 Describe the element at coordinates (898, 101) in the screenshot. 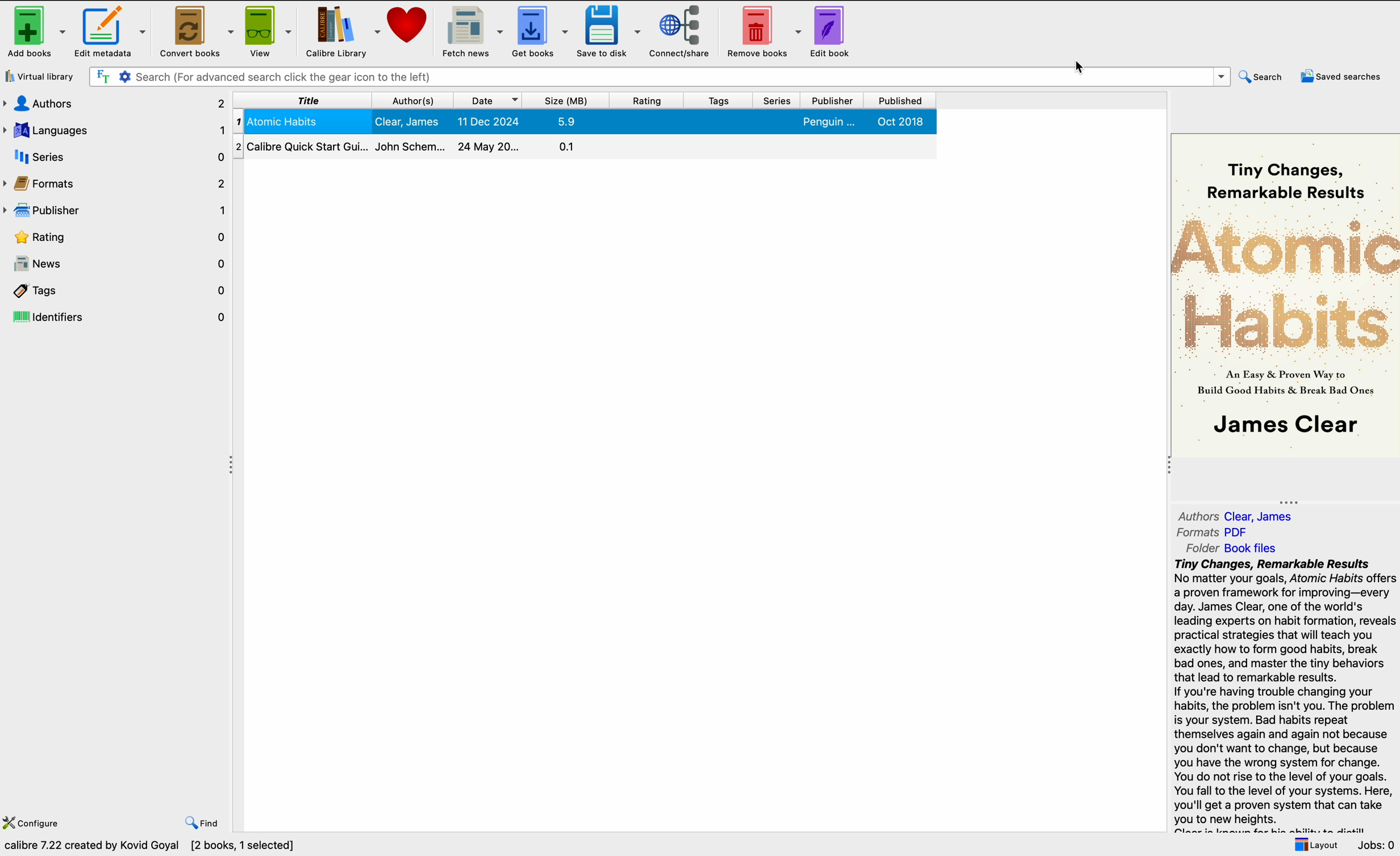

I see `published` at that location.